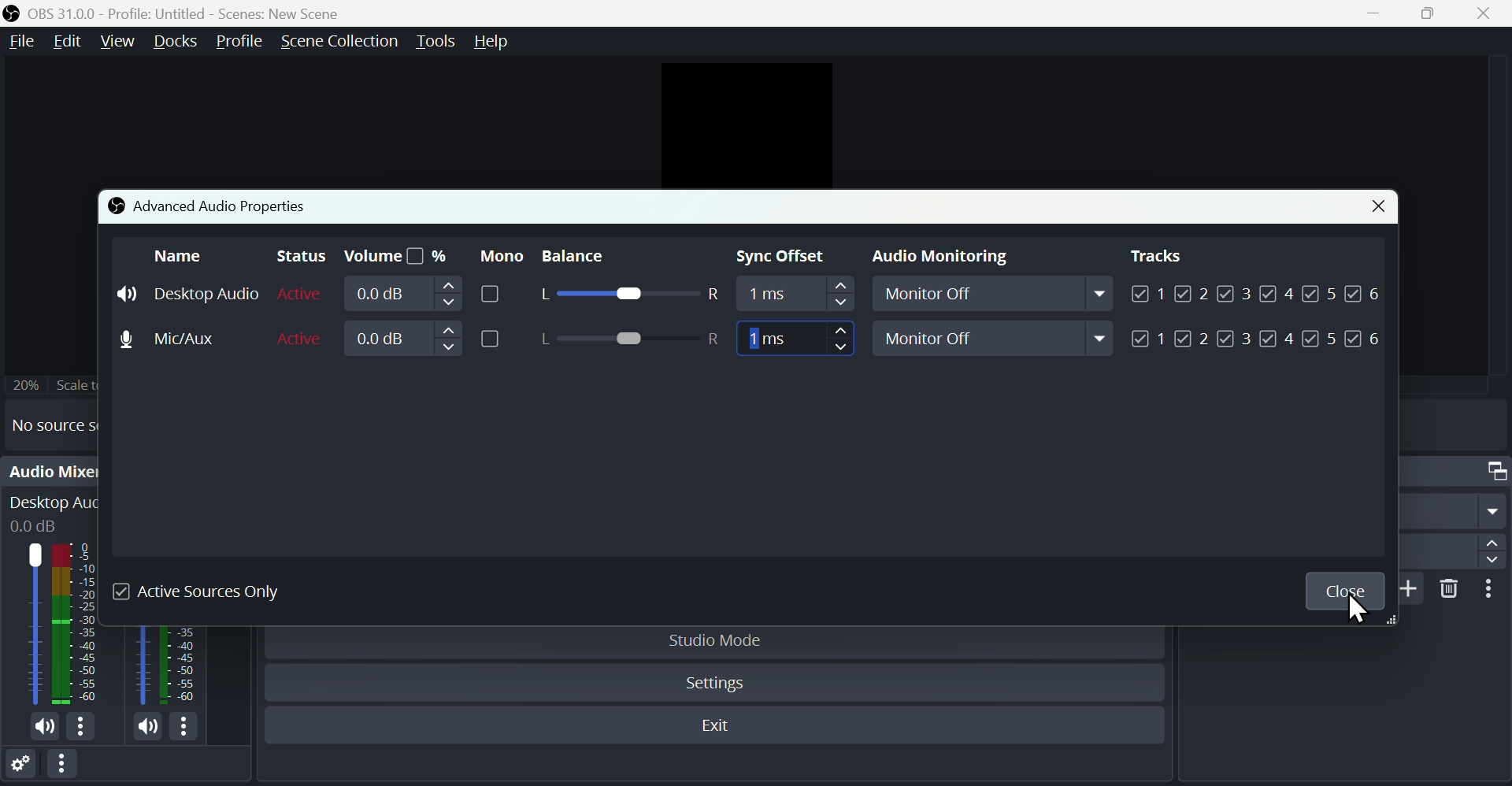 Image resolution: width=1512 pixels, height=786 pixels. Describe the element at coordinates (1488, 13) in the screenshot. I see `close` at that location.